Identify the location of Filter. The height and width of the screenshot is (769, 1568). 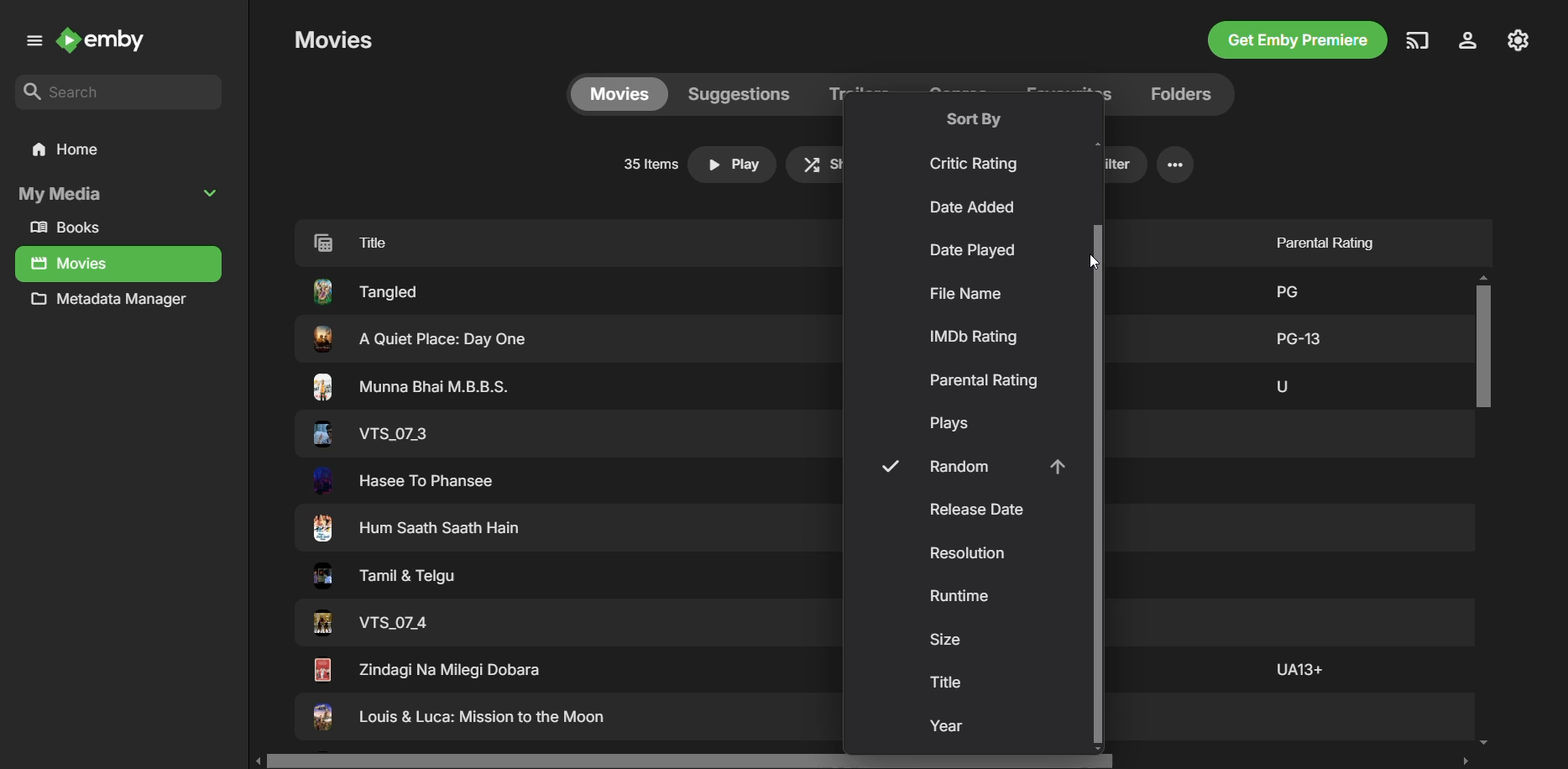
(1100, 165).